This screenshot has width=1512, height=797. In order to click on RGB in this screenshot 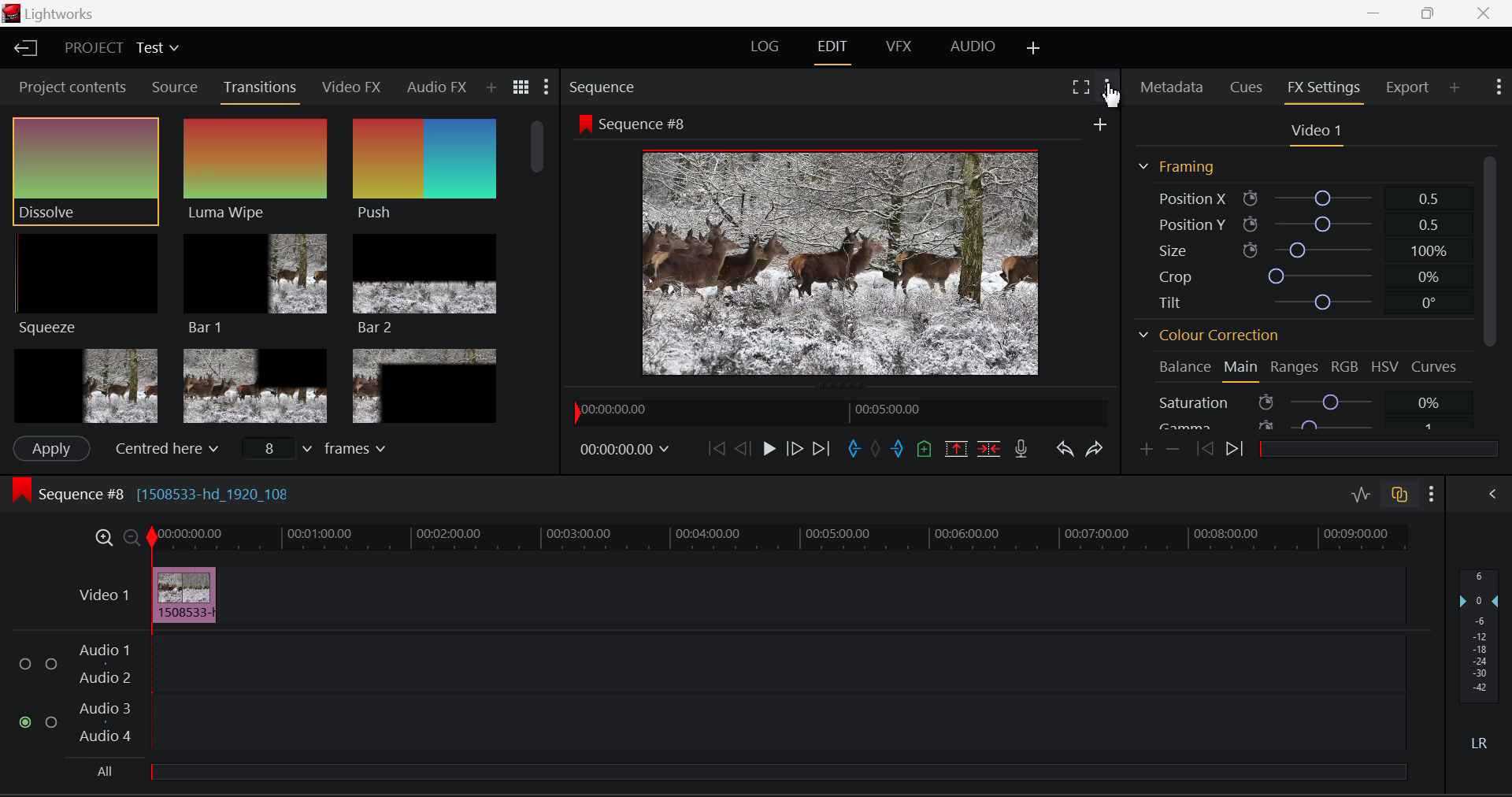, I will do `click(1347, 368)`.